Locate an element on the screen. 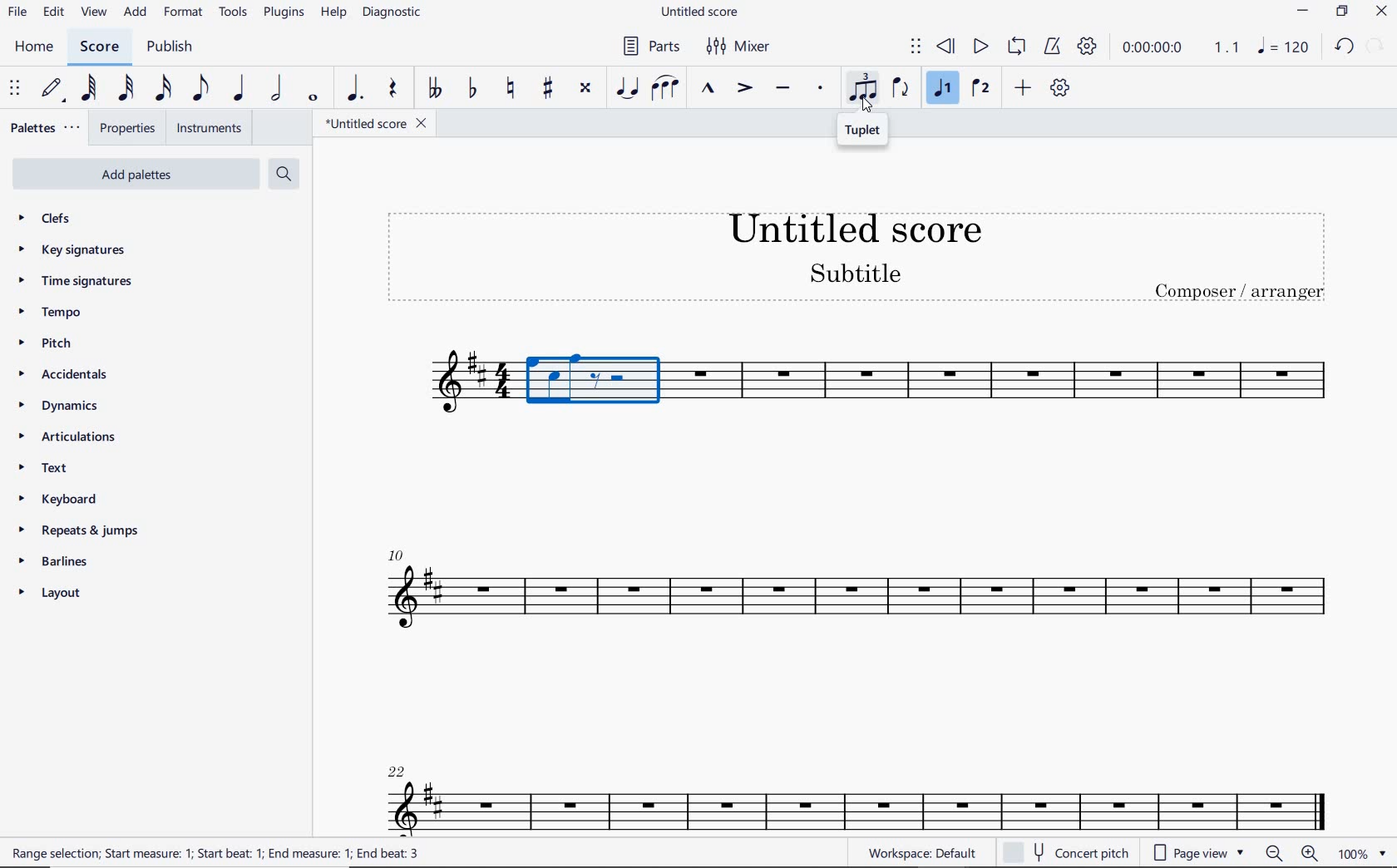 This screenshot has height=868, width=1397. SCORE is located at coordinates (99, 47).